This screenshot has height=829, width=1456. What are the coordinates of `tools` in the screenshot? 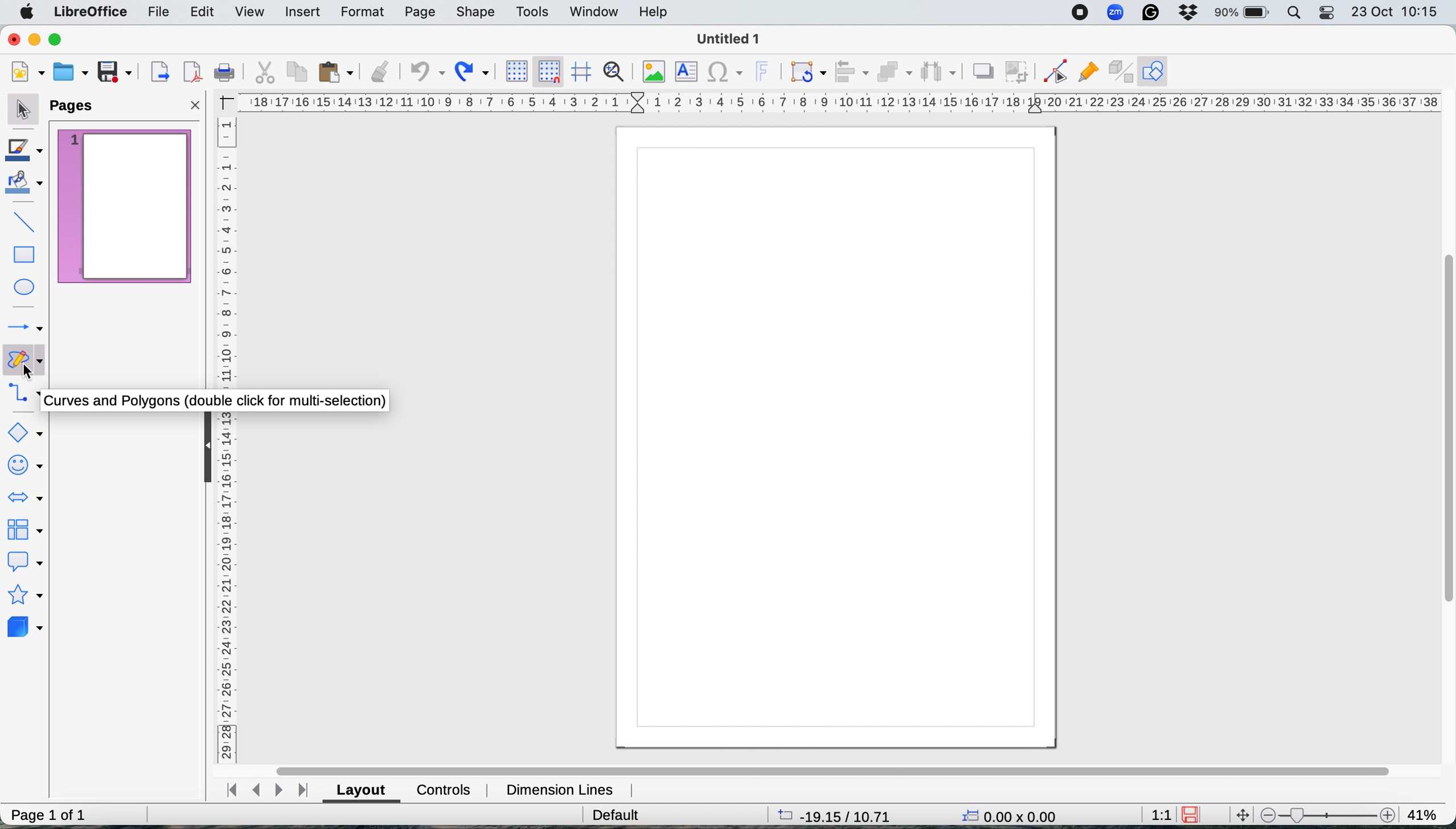 It's located at (535, 12).